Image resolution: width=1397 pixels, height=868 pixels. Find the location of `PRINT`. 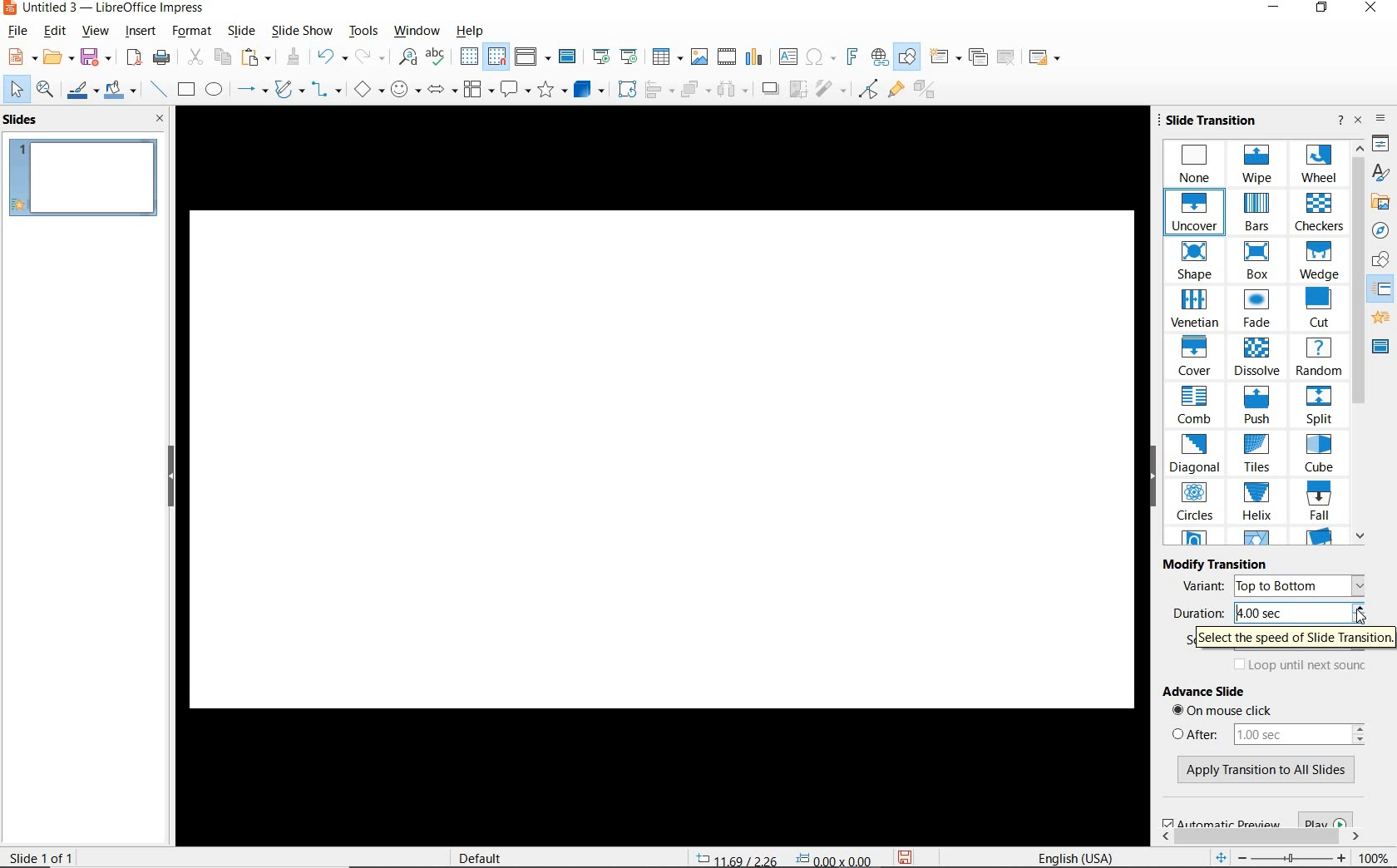

PRINT is located at coordinates (162, 60).